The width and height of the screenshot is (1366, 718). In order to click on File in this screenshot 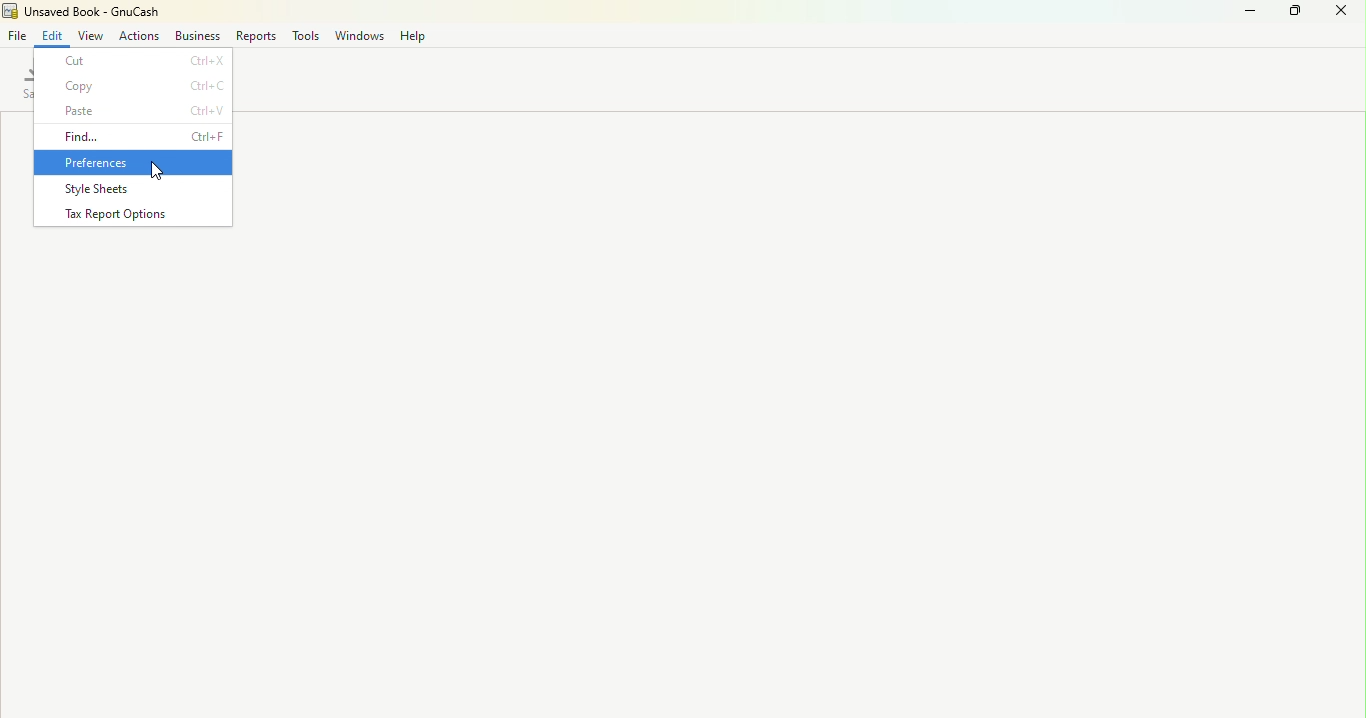, I will do `click(18, 36)`.